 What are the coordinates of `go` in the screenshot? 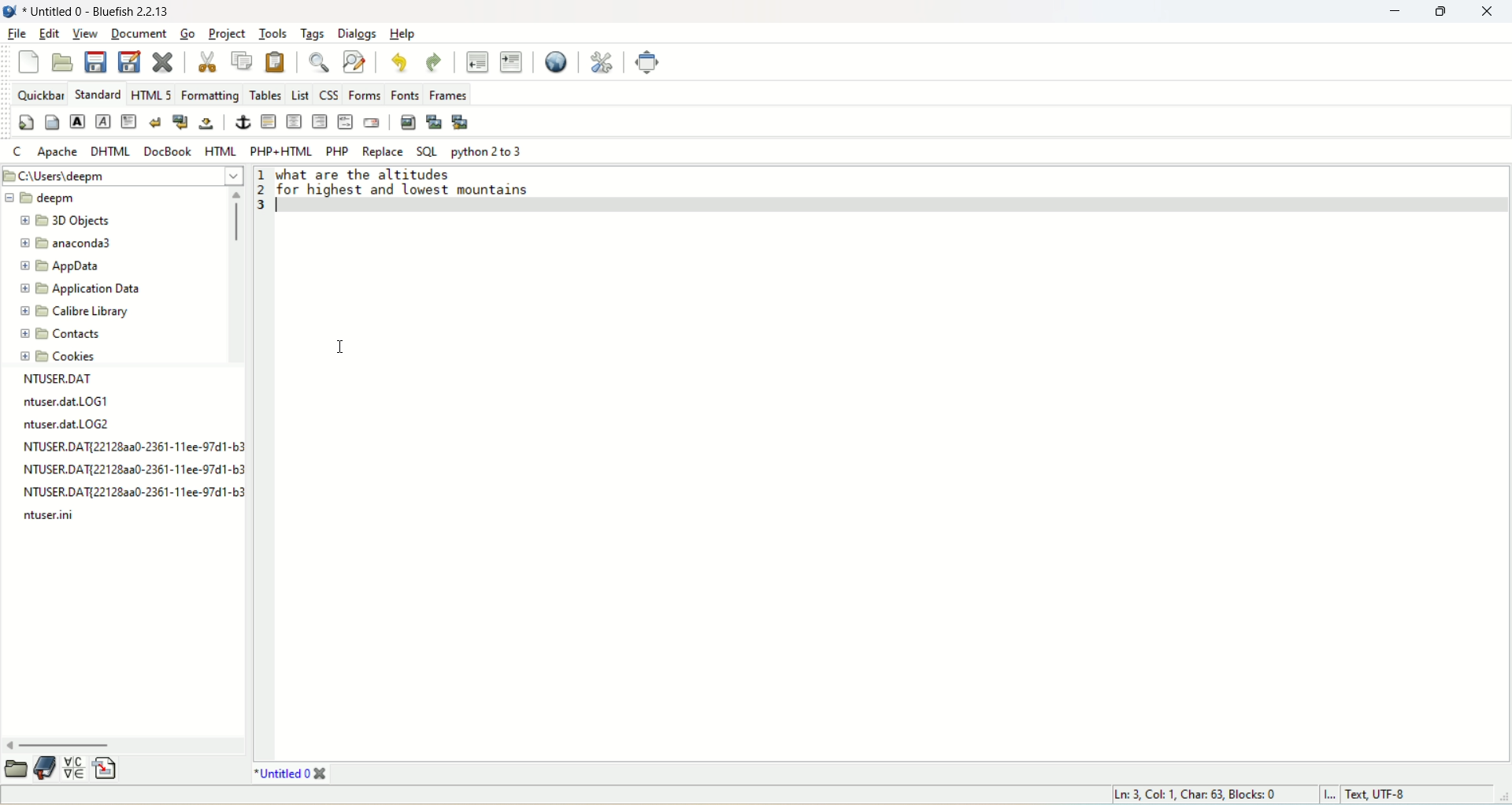 It's located at (189, 32).